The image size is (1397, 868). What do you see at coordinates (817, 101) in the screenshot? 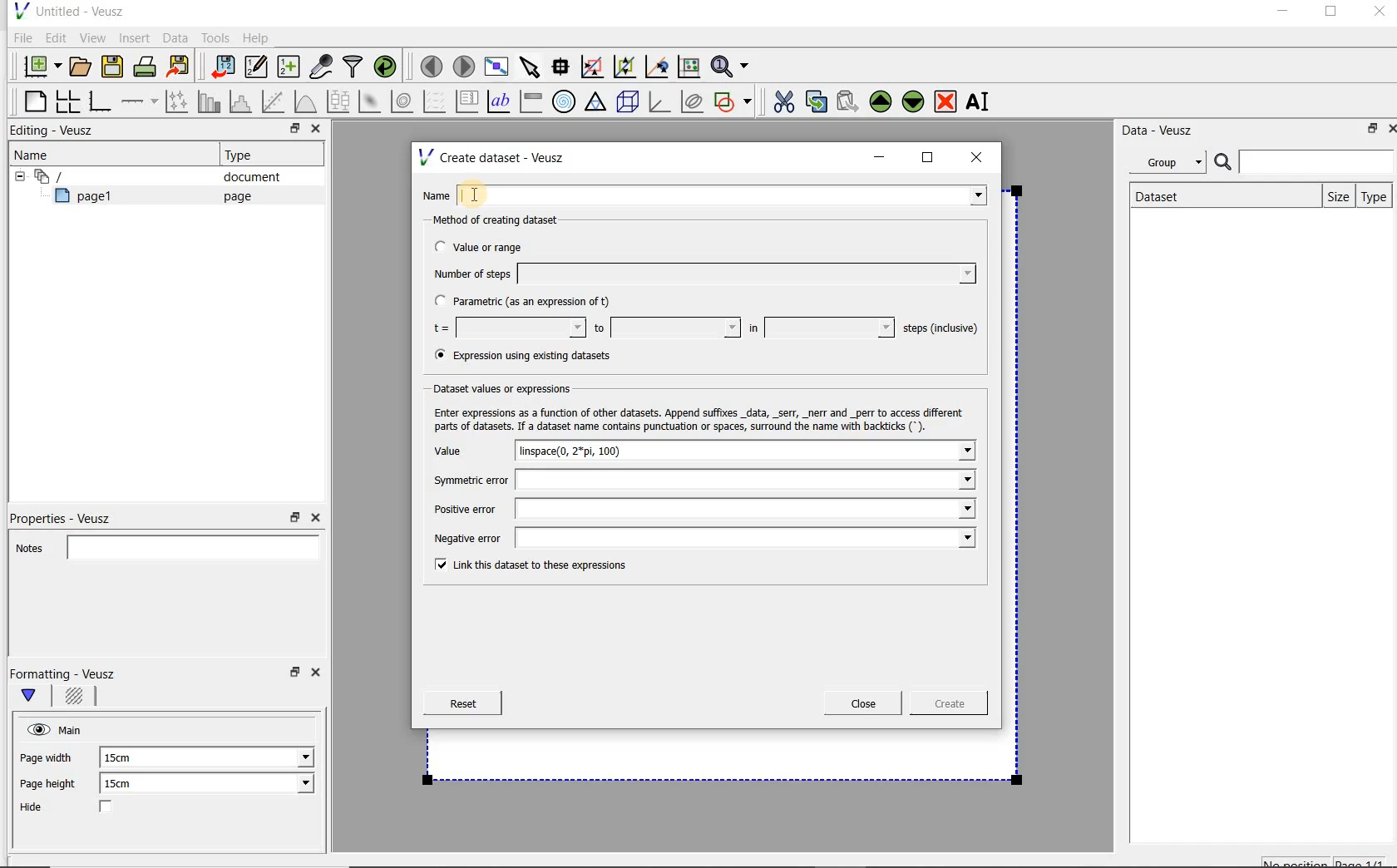
I see `copy the selected widget` at bounding box center [817, 101].